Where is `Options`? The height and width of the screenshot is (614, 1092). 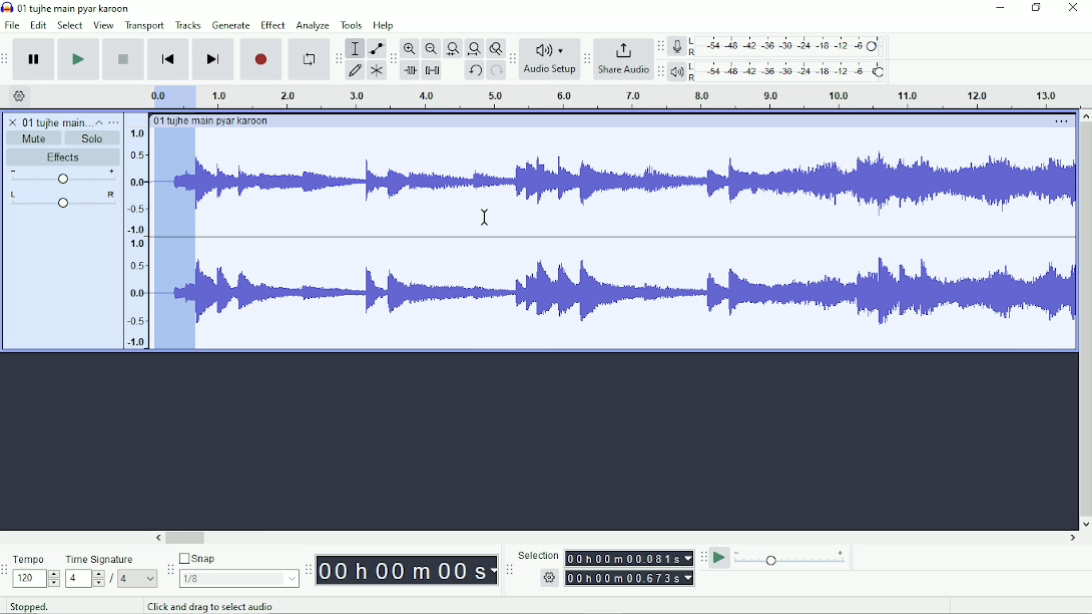 Options is located at coordinates (1059, 123).